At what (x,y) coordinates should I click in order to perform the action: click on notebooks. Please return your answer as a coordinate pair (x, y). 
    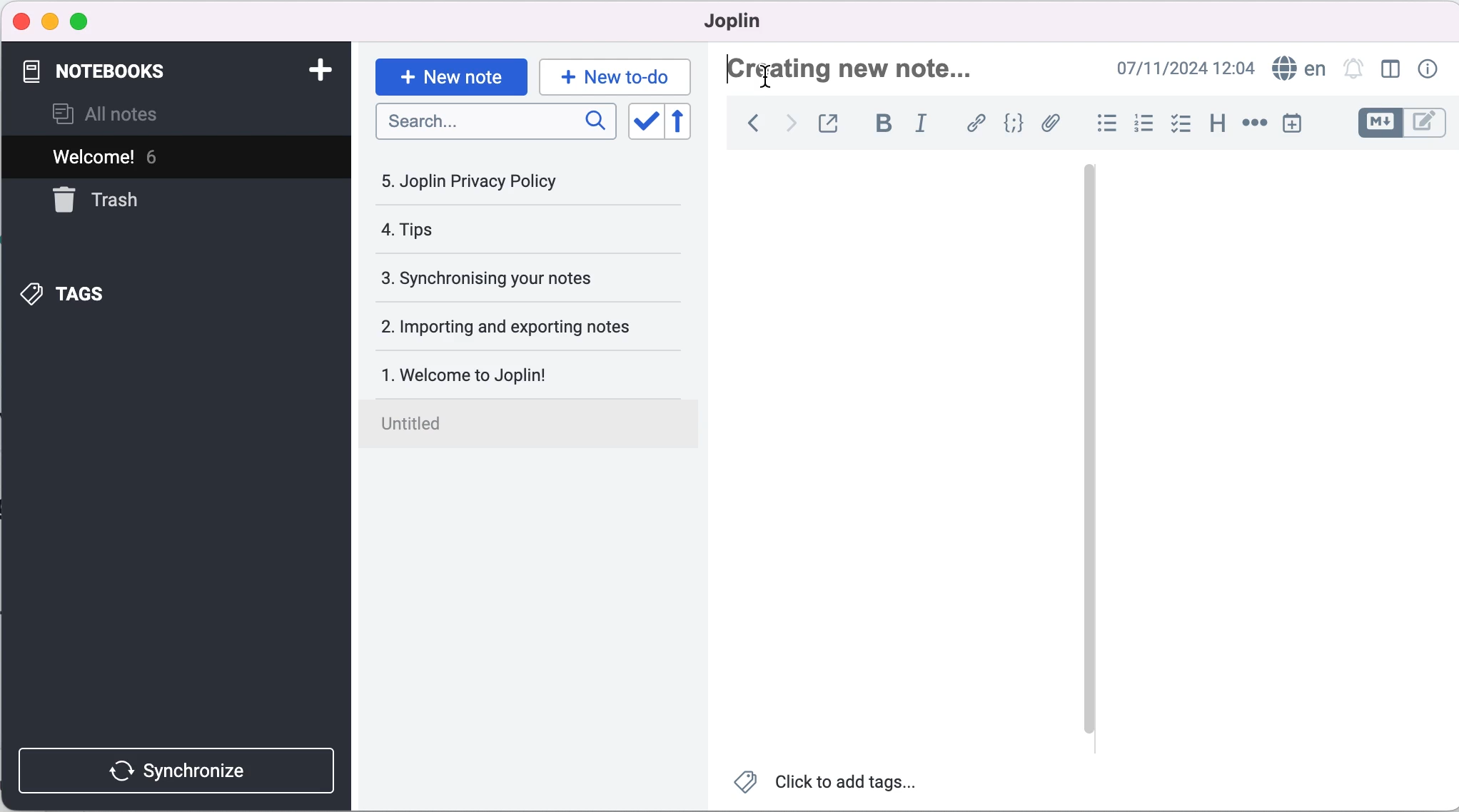
    Looking at the image, I should click on (158, 71).